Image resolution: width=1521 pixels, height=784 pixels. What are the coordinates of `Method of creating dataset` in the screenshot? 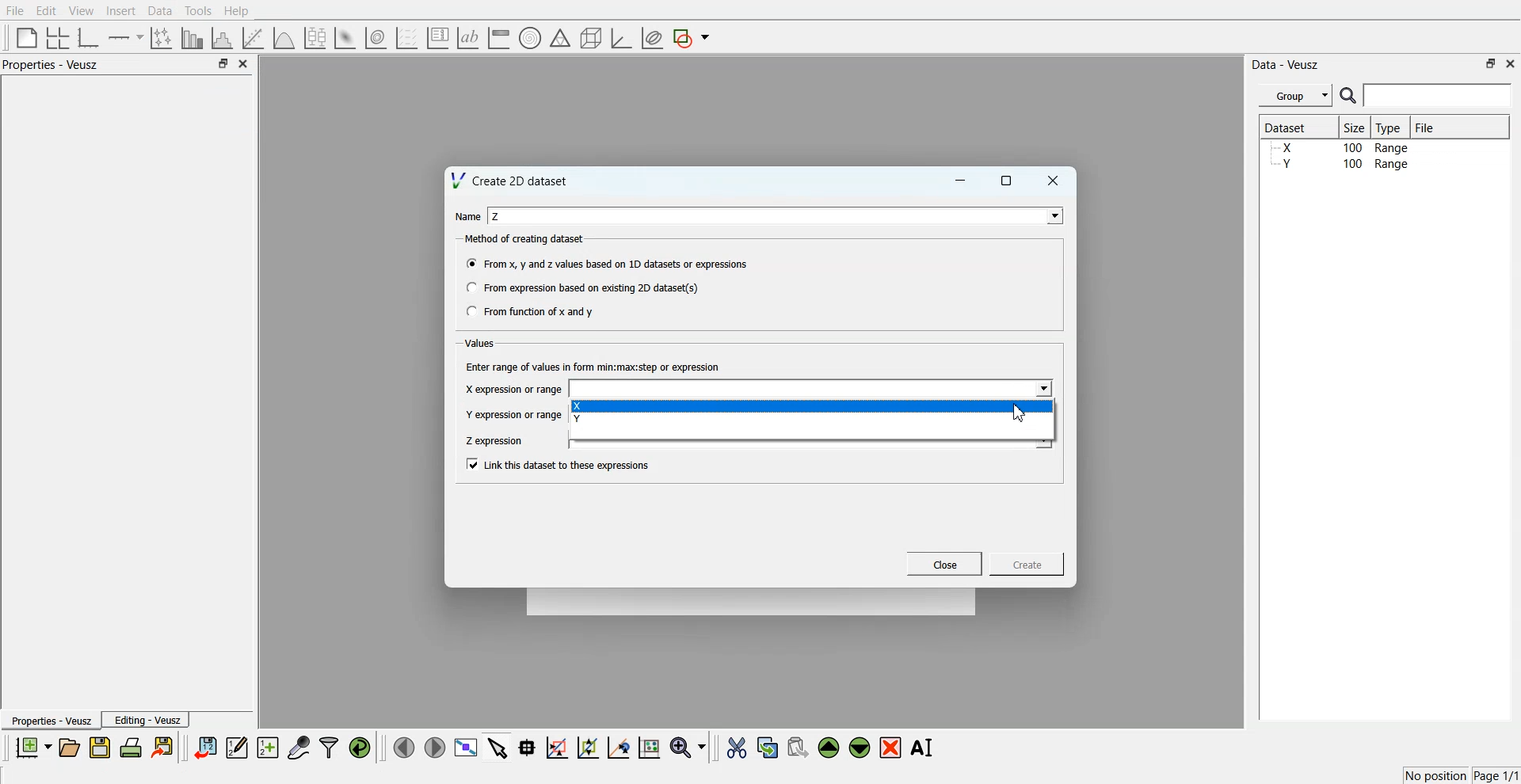 It's located at (526, 239).